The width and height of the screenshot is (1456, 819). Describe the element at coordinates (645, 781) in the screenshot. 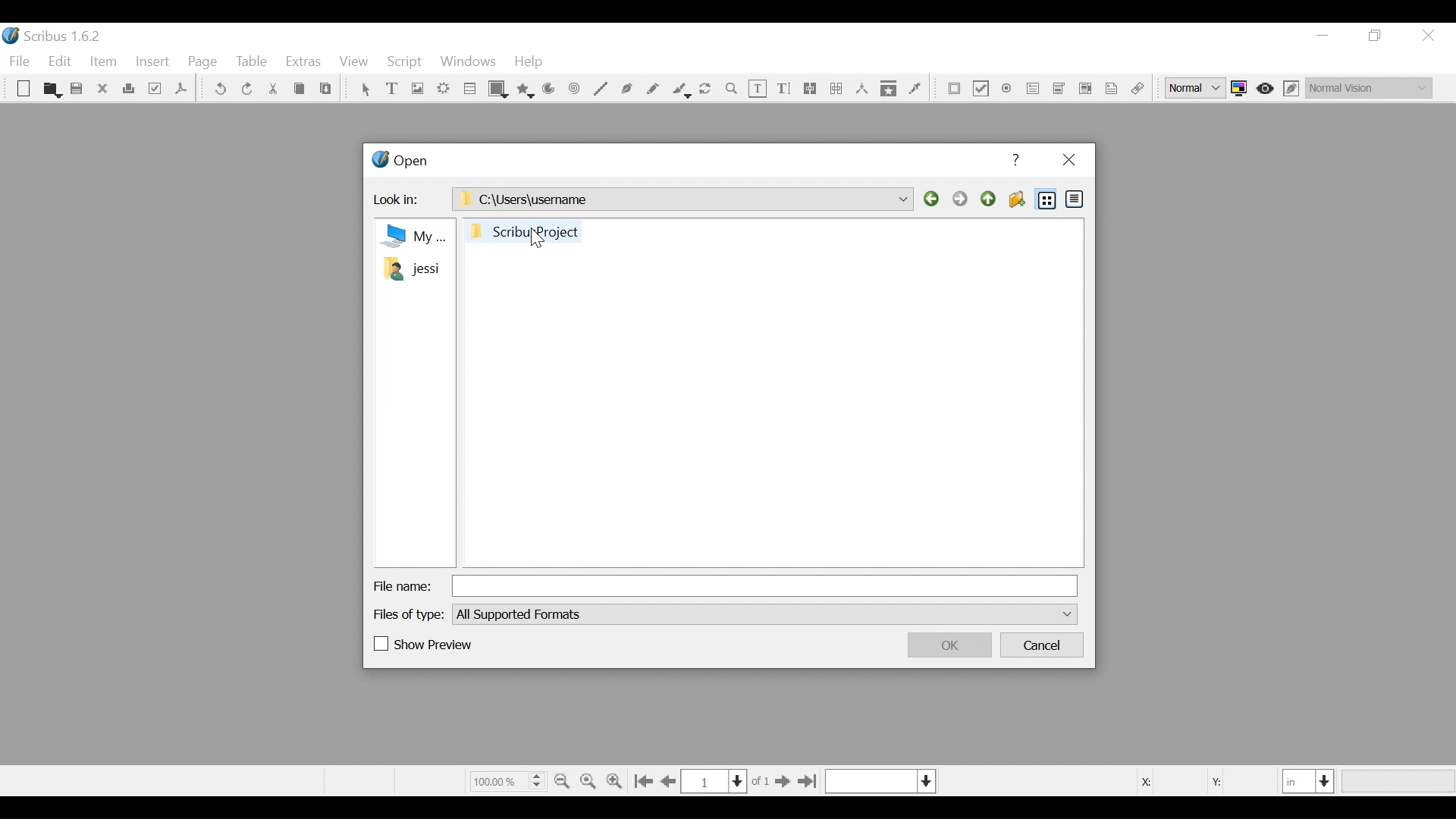

I see `Go to first Page` at that location.